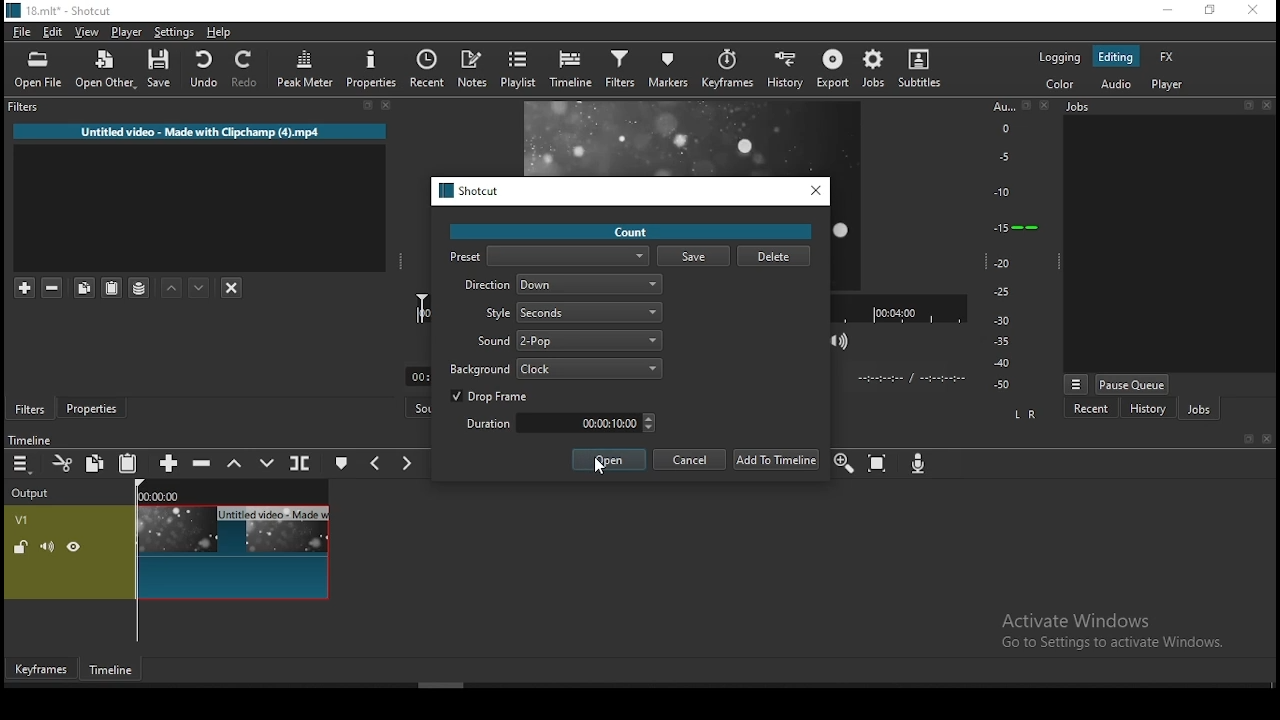 Image resolution: width=1280 pixels, height=720 pixels. I want to click on toggle grid display on player, so click(799, 344).